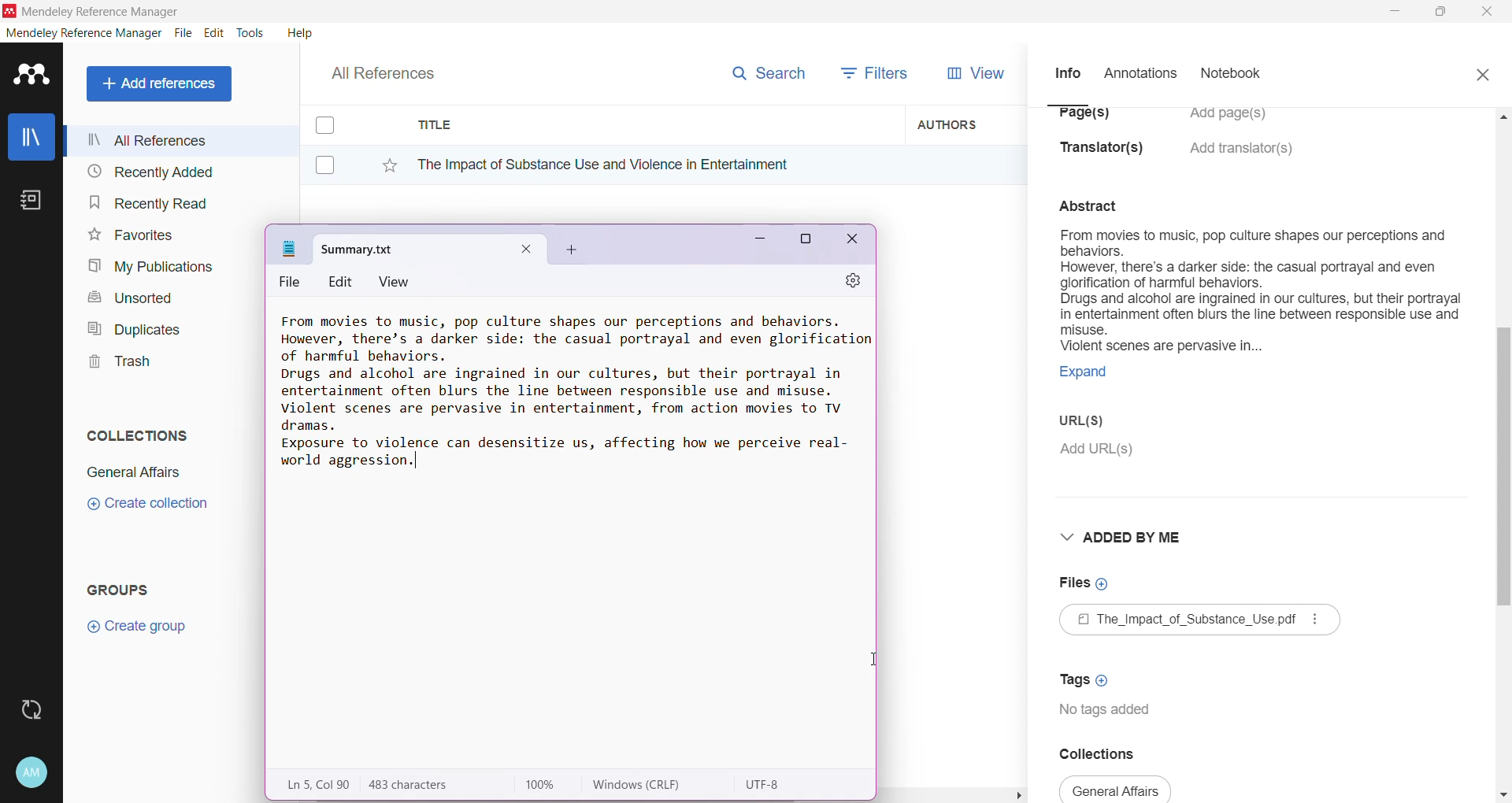 Image resolution: width=1512 pixels, height=803 pixels. What do you see at coordinates (879, 72) in the screenshot?
I see `Filters` at bounding box center [879, 72].